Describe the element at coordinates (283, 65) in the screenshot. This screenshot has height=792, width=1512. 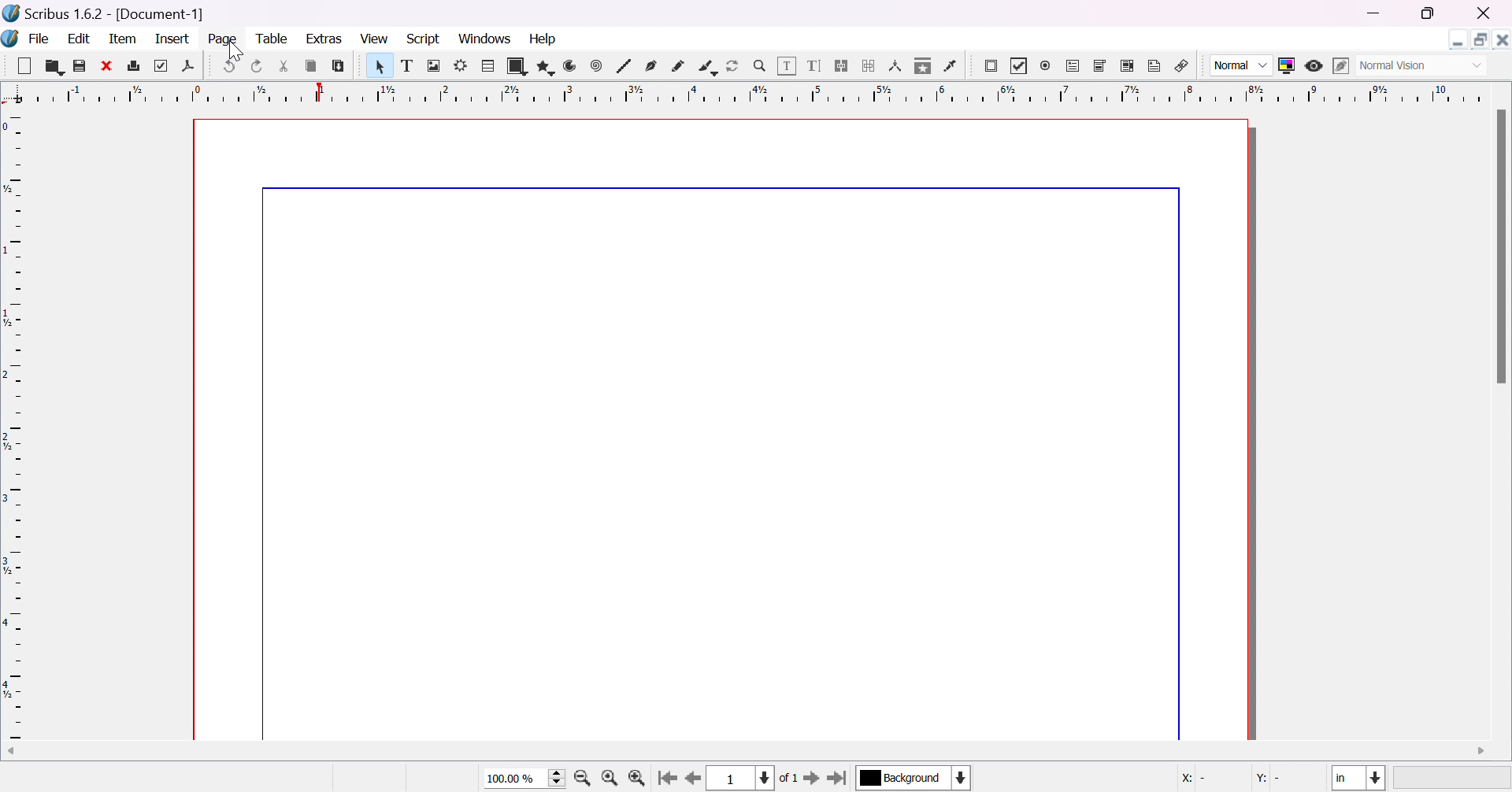
I see `cut` at that location.